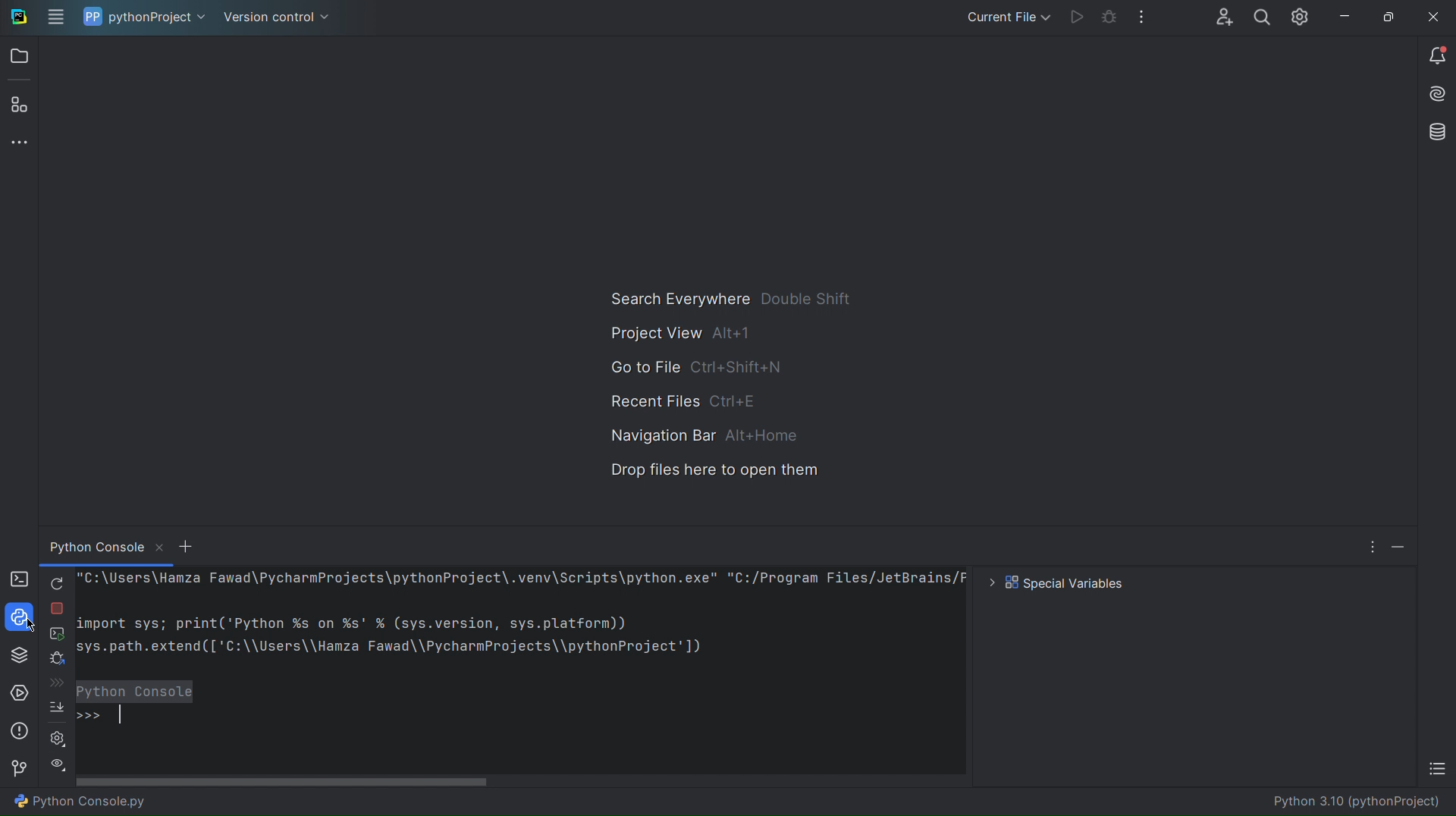  Describe the element at coordinates (187, 547) in the screenshot. I see `Add tab` at that location.